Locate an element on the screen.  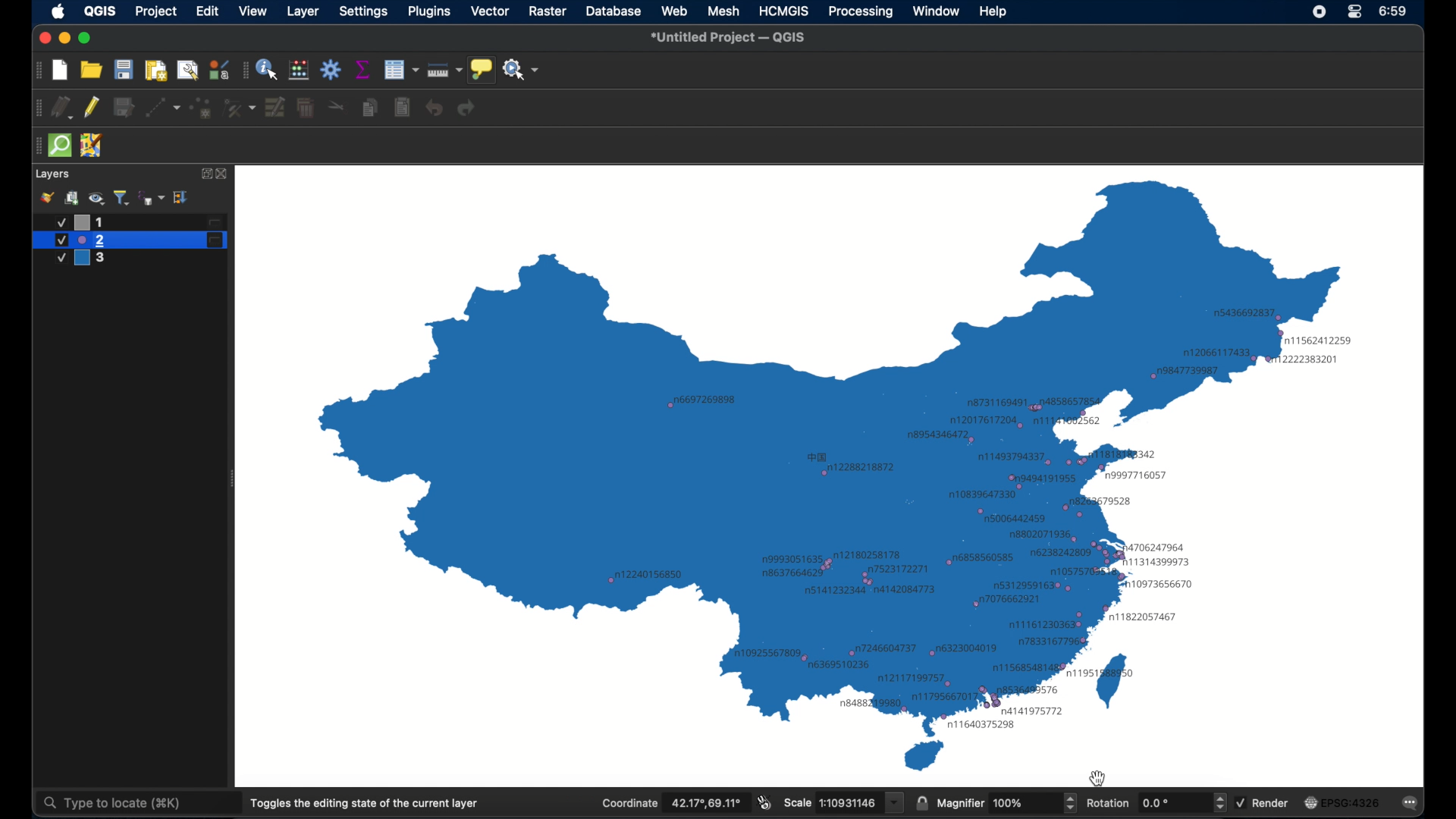
open is located at coordinates (91, 69).